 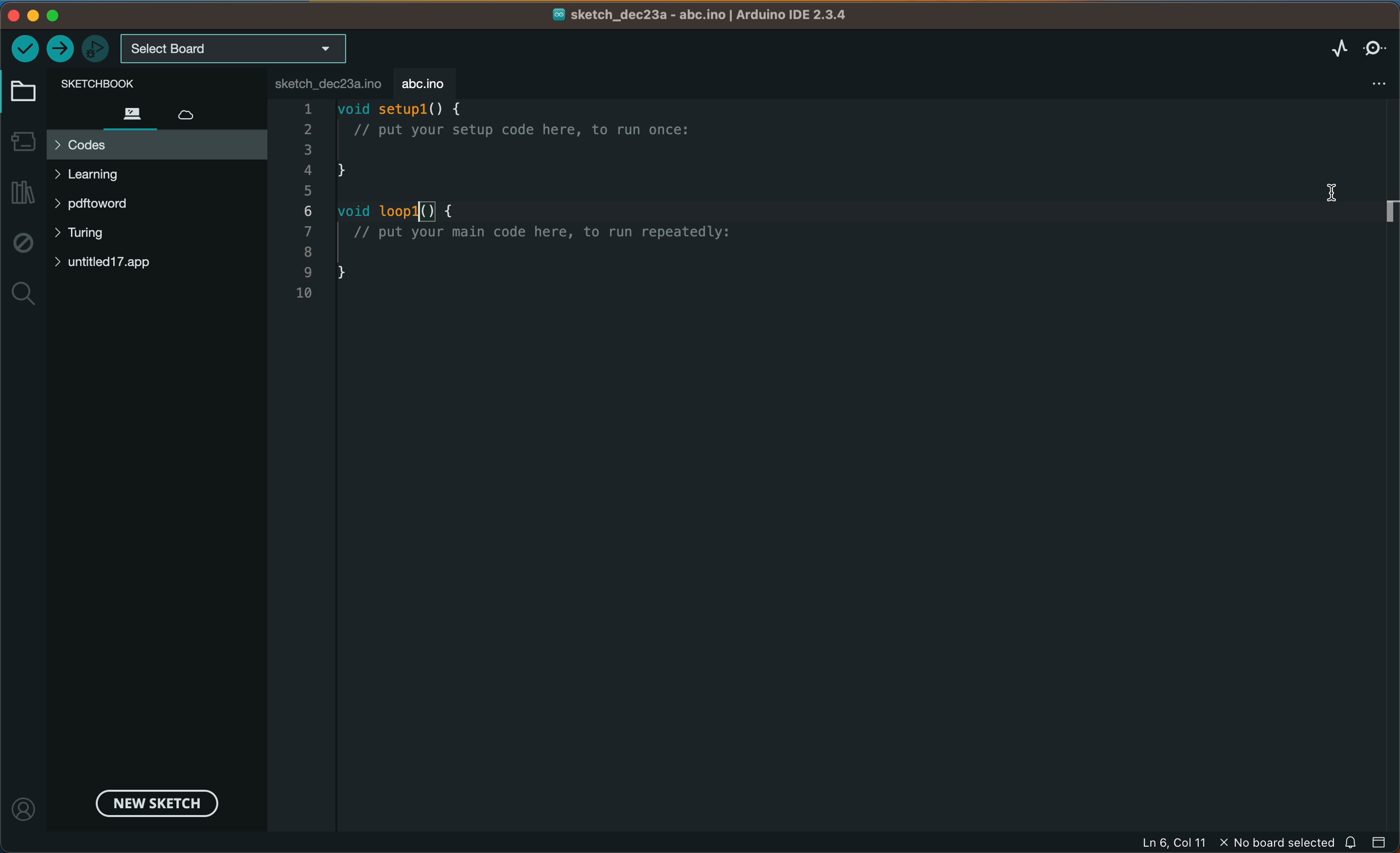 What do you see at coordinates (718, 15) in the screenshot?
I see `file name` at bounding box center [718, 15].